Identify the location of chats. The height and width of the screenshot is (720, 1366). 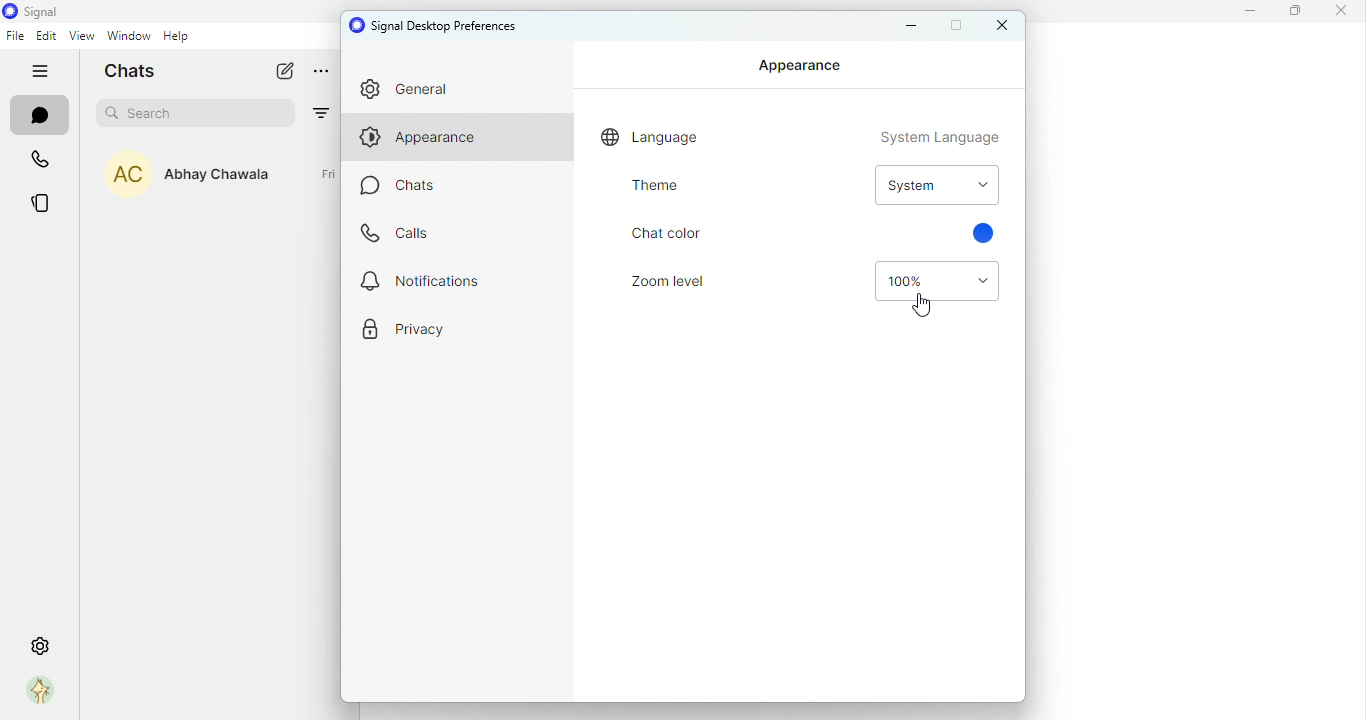
(138, 74).